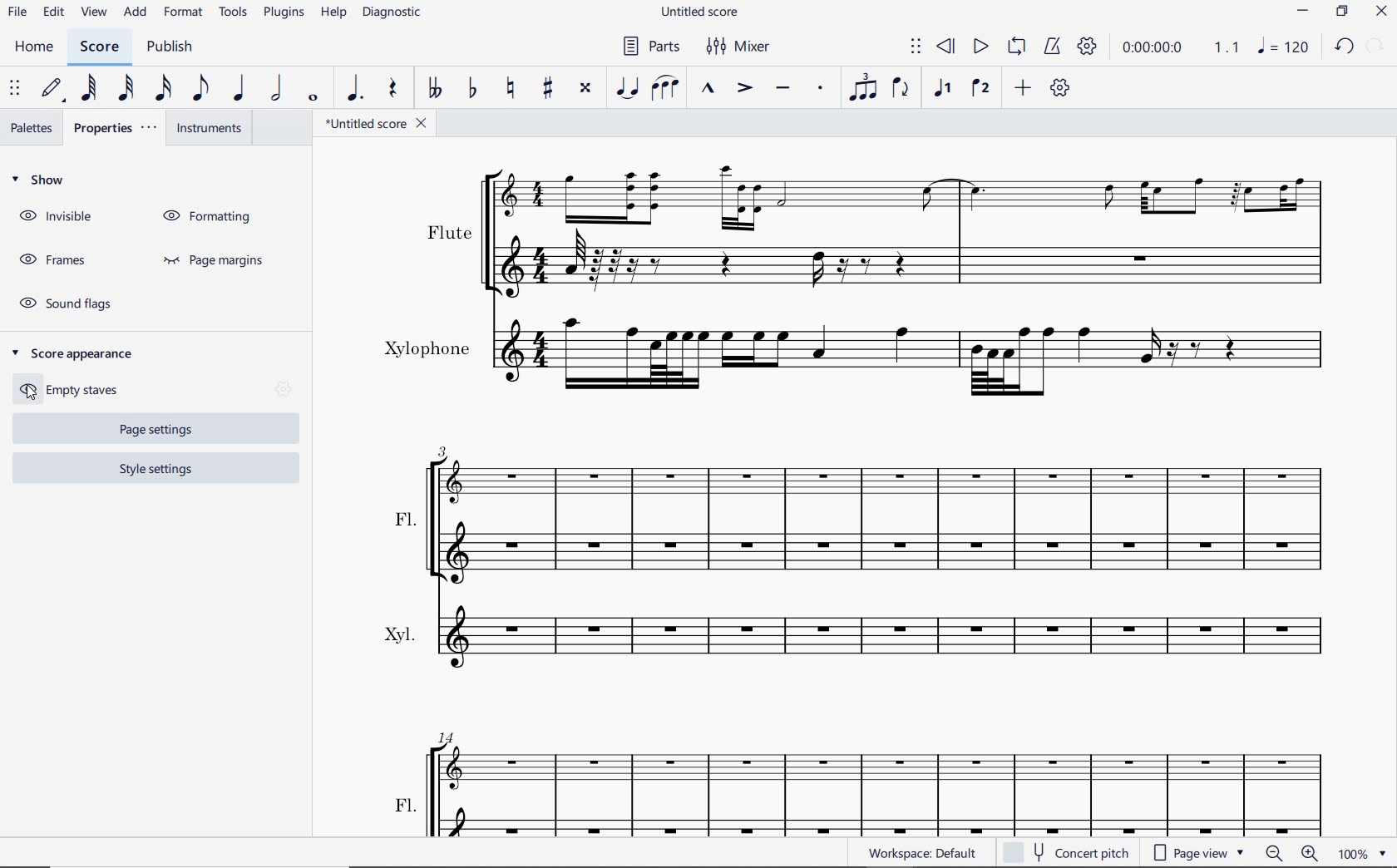  Describe the element at coordinates (701, 12) in the screenshot. I see `FILE NAME` at that location.